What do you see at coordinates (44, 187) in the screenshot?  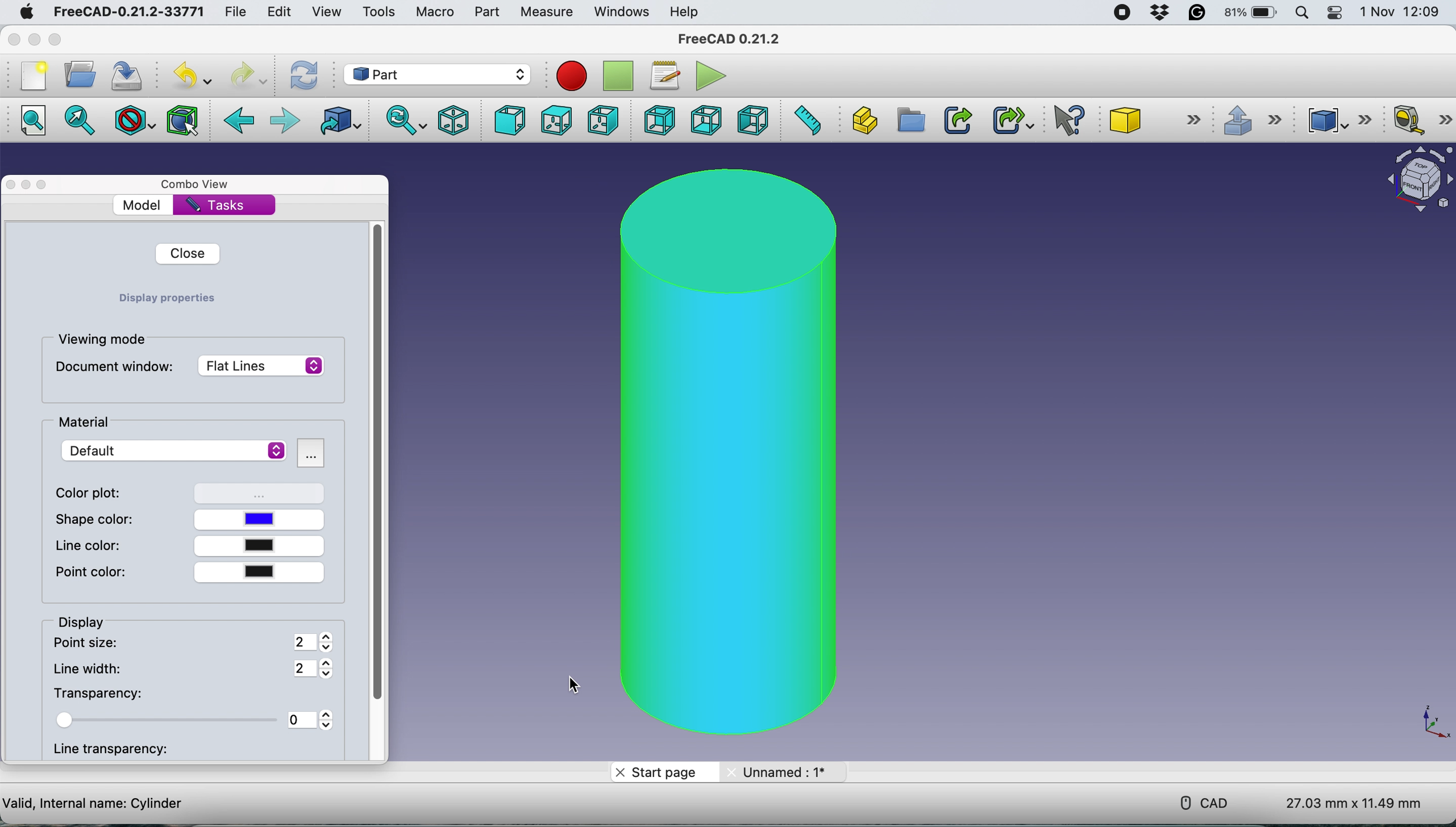 I see `maximise` at bounding box center [44, 187].